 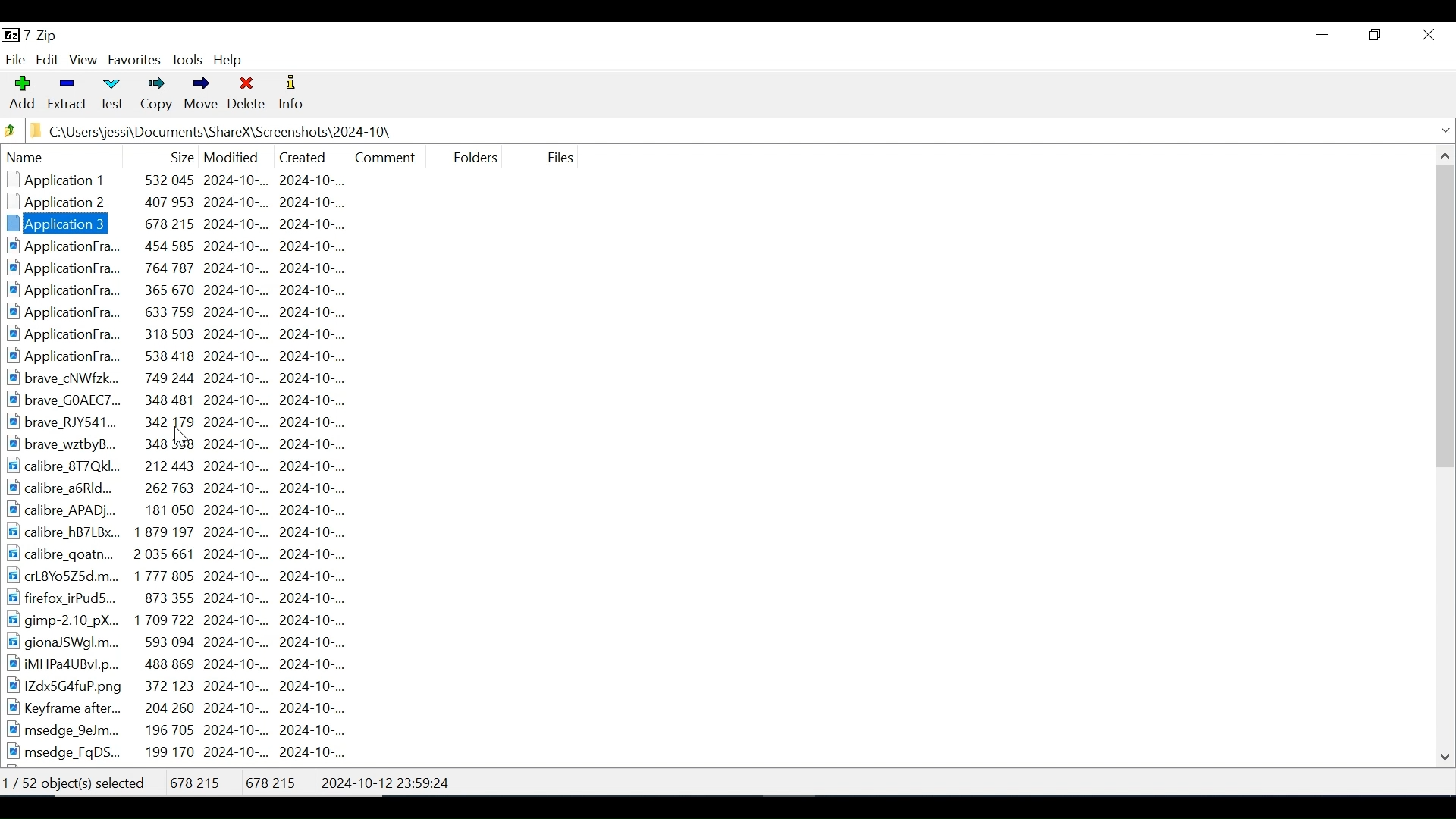 I want to click on calibre_hB7LBx... 1879 197 2024-10-.. 2024-10-..., so click(x=187, y=532).